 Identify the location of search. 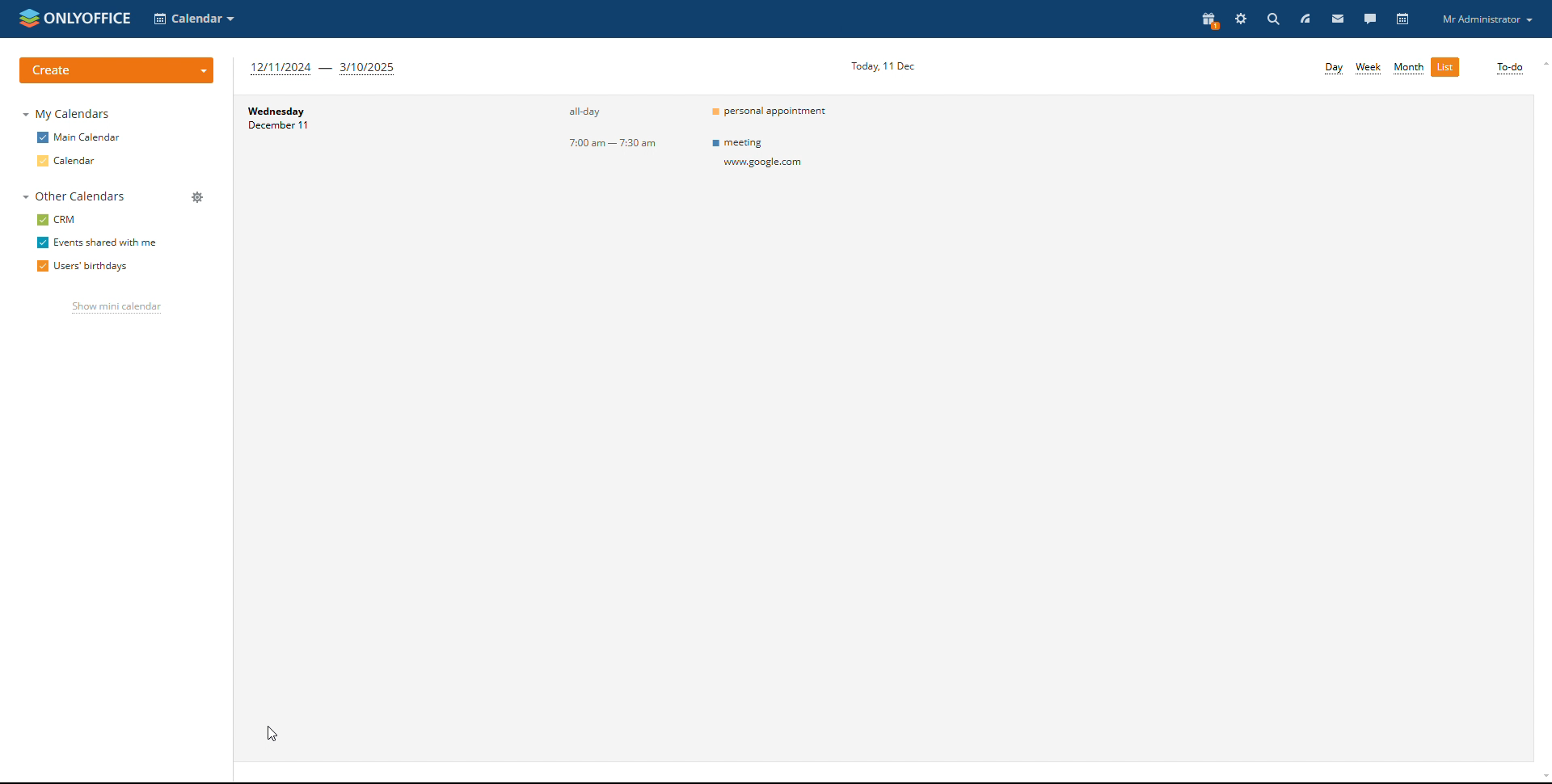
(1272, 19).